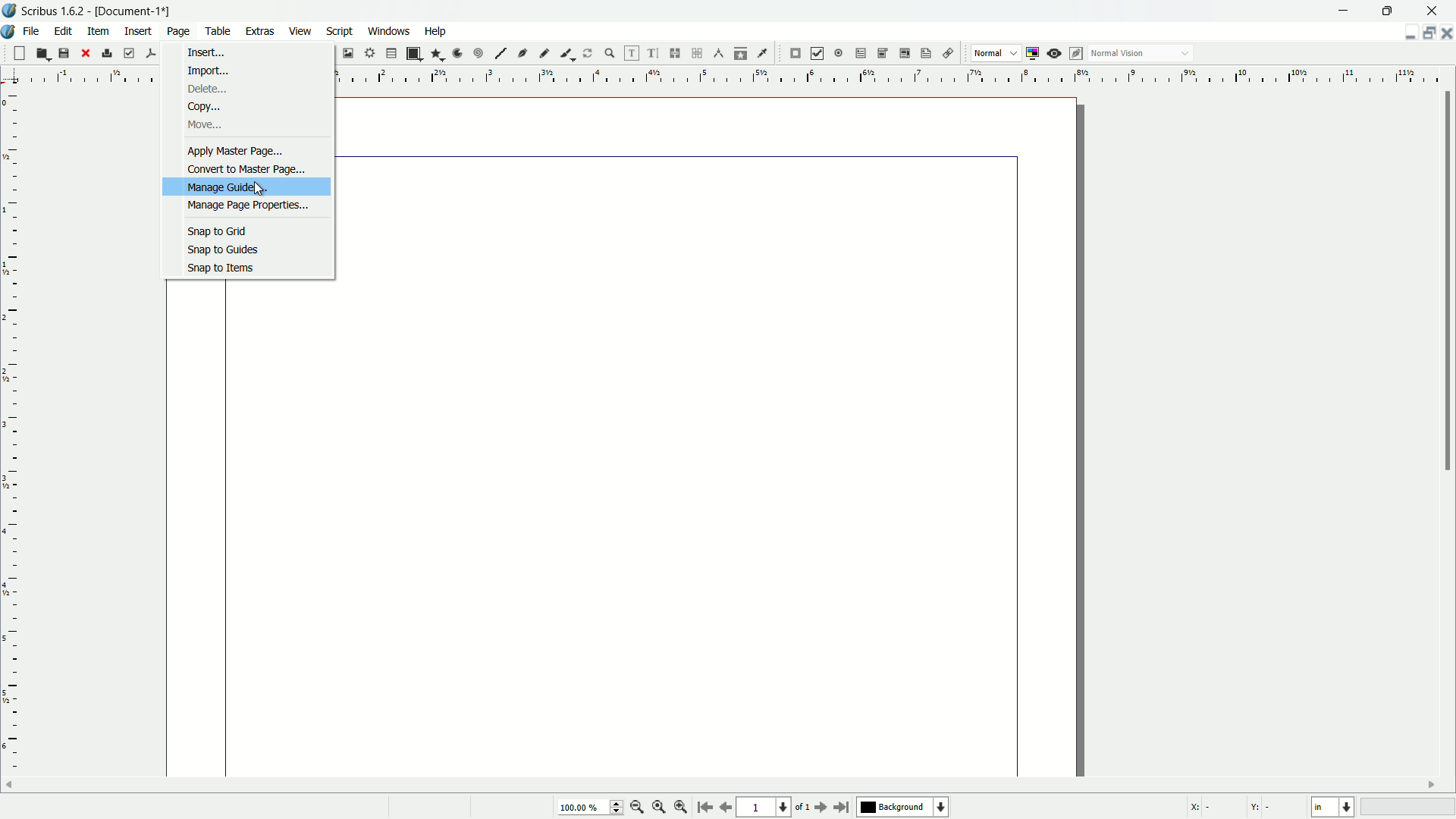 This screenshot has width=1456, height=819. I want to click on preflight verifier, so click(129, 54).